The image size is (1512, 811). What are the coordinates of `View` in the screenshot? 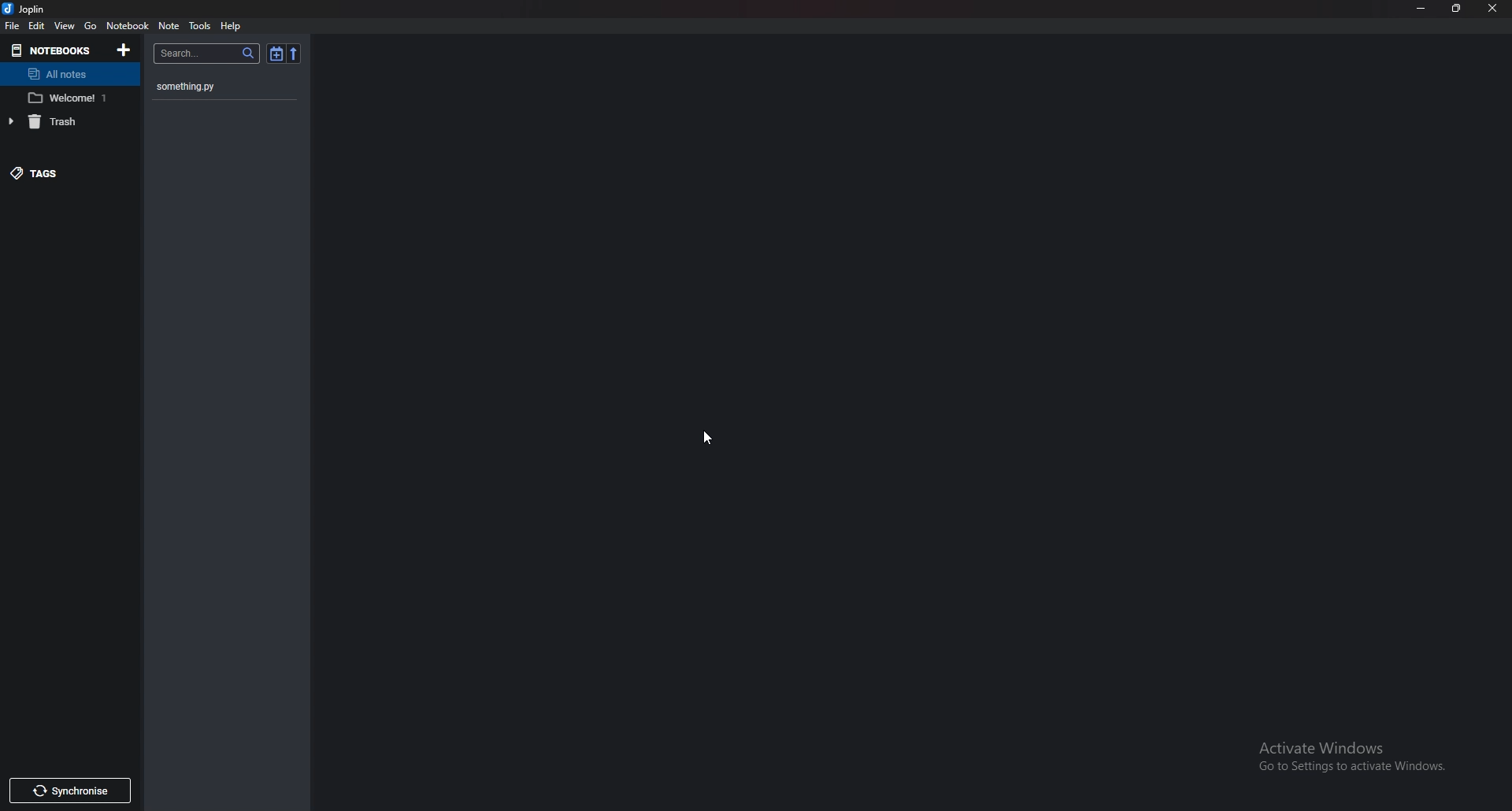 It's located at (65, 28).